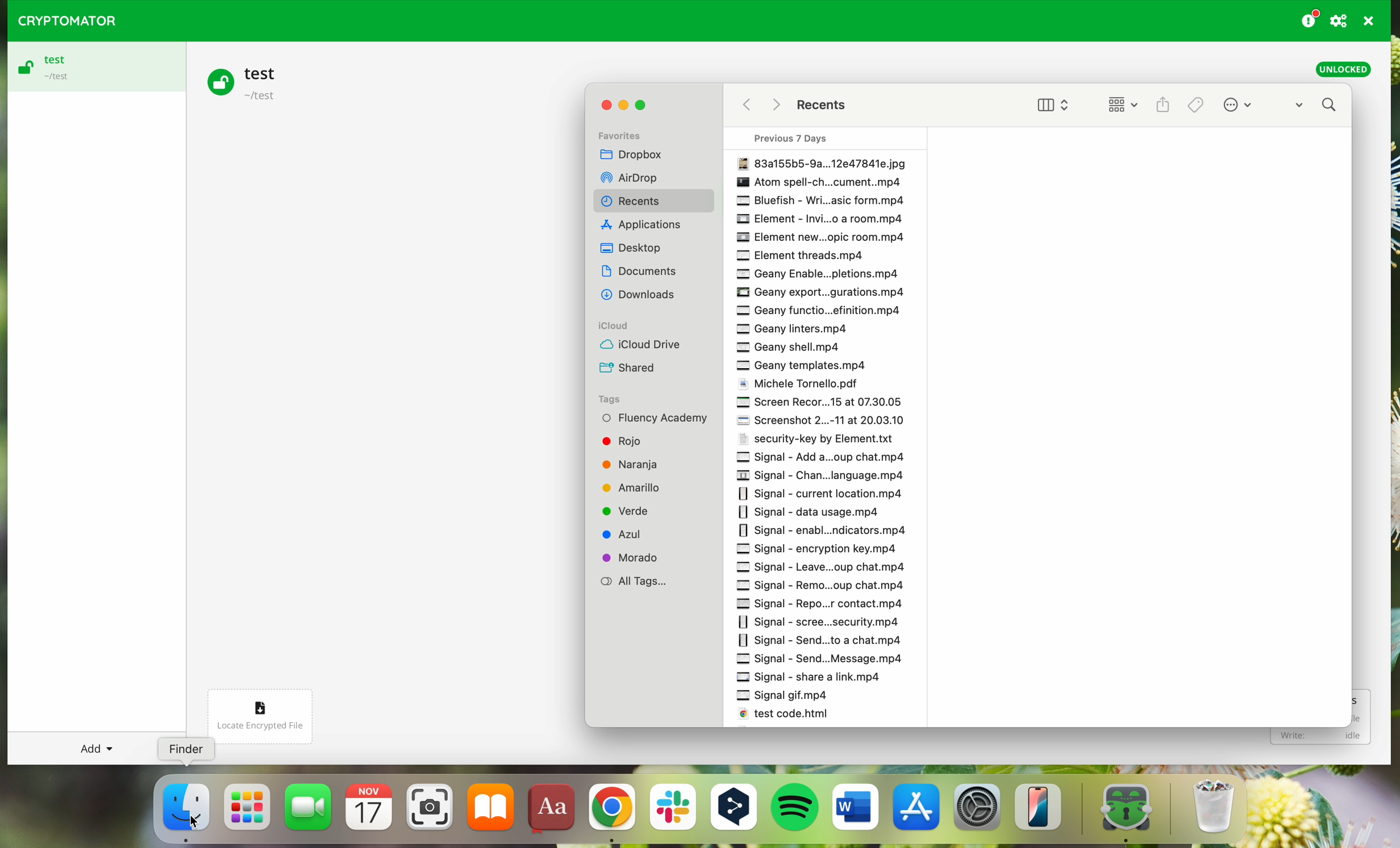 This screenshot has height=848, width=1400. I want to click on Favorites, so click(628, 132).